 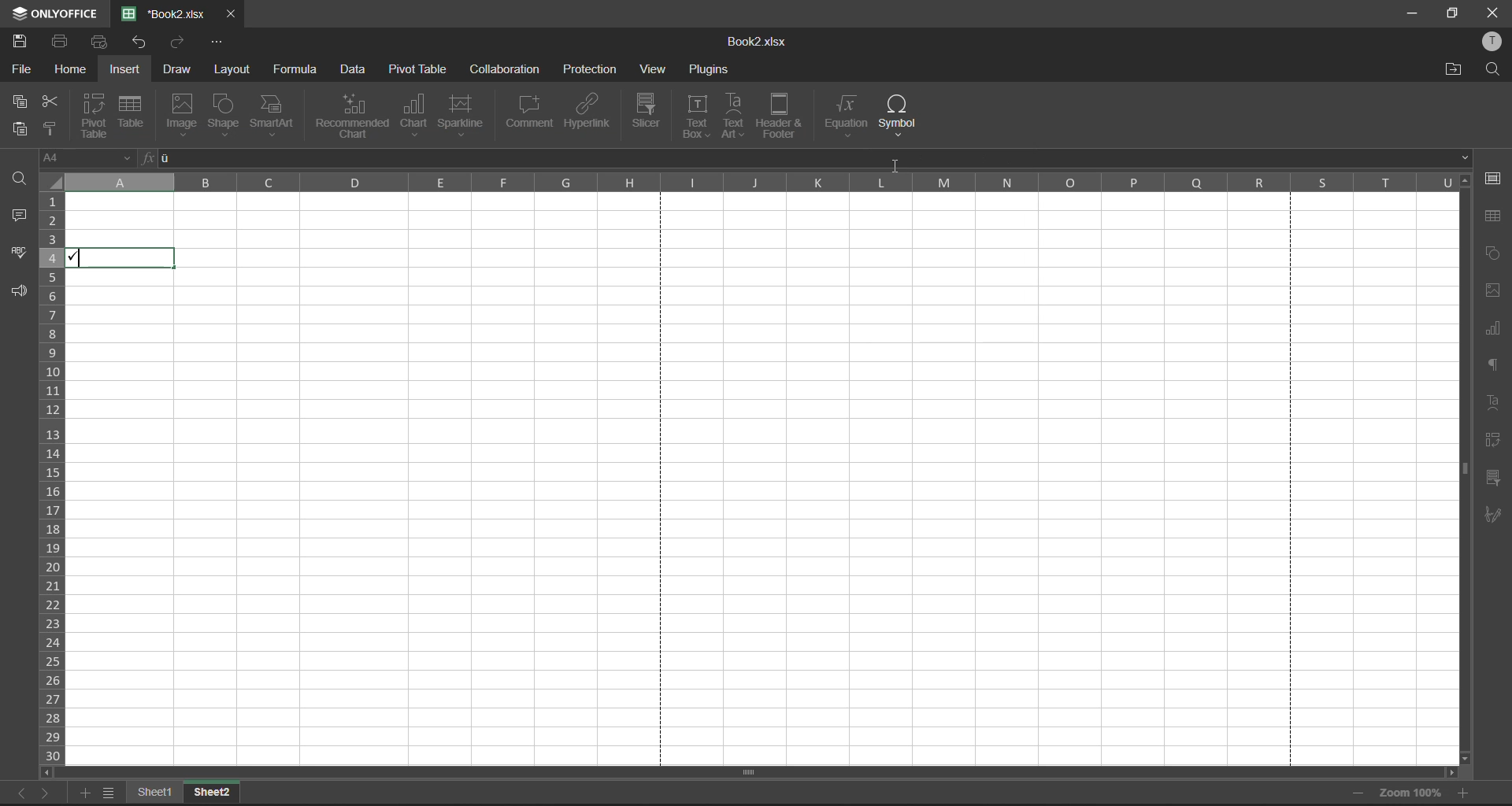 I want to click on maximize, so click(x=1455, y=15).